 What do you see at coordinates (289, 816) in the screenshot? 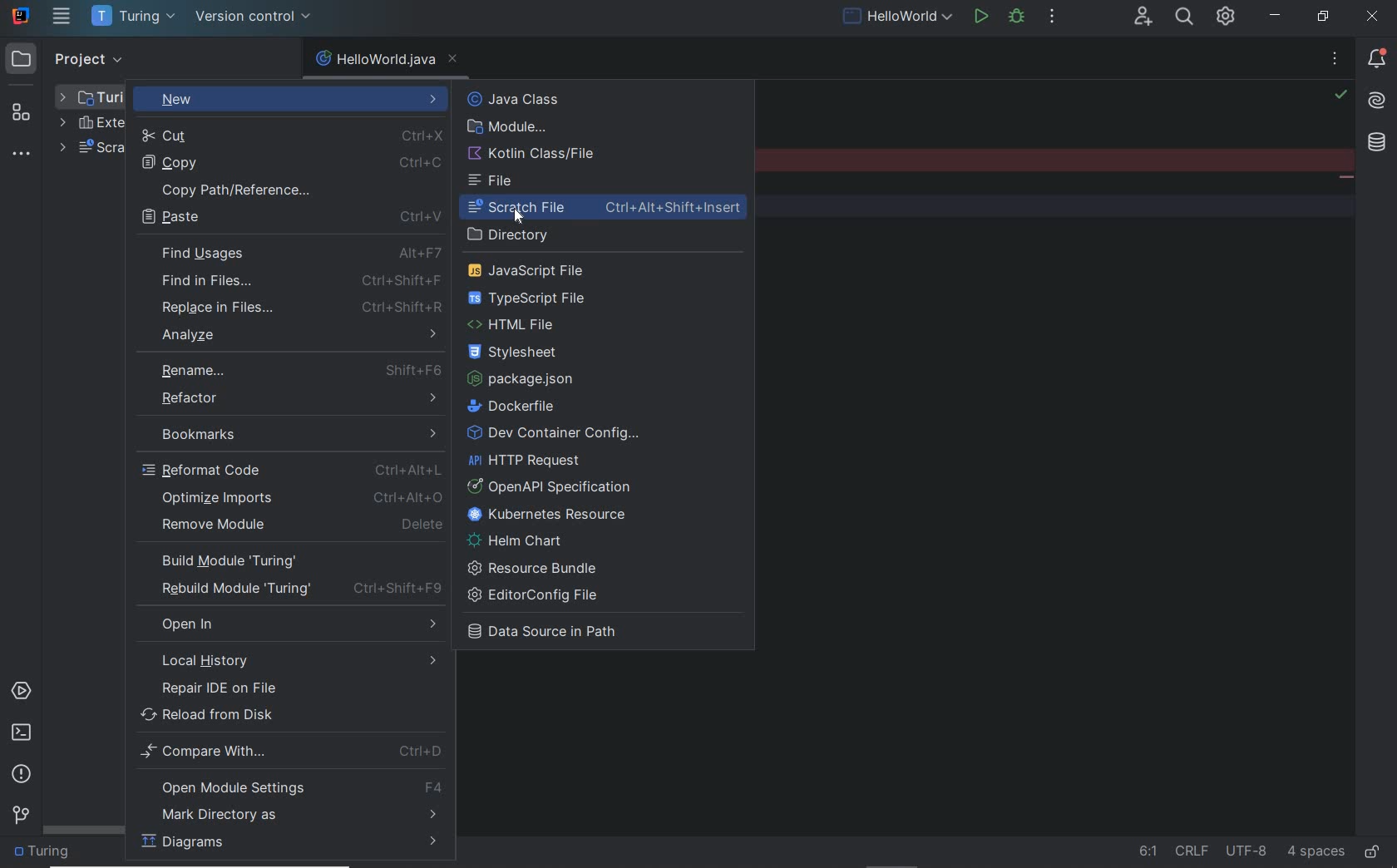
I see `mark directory as` at bounding box center [289, 816].